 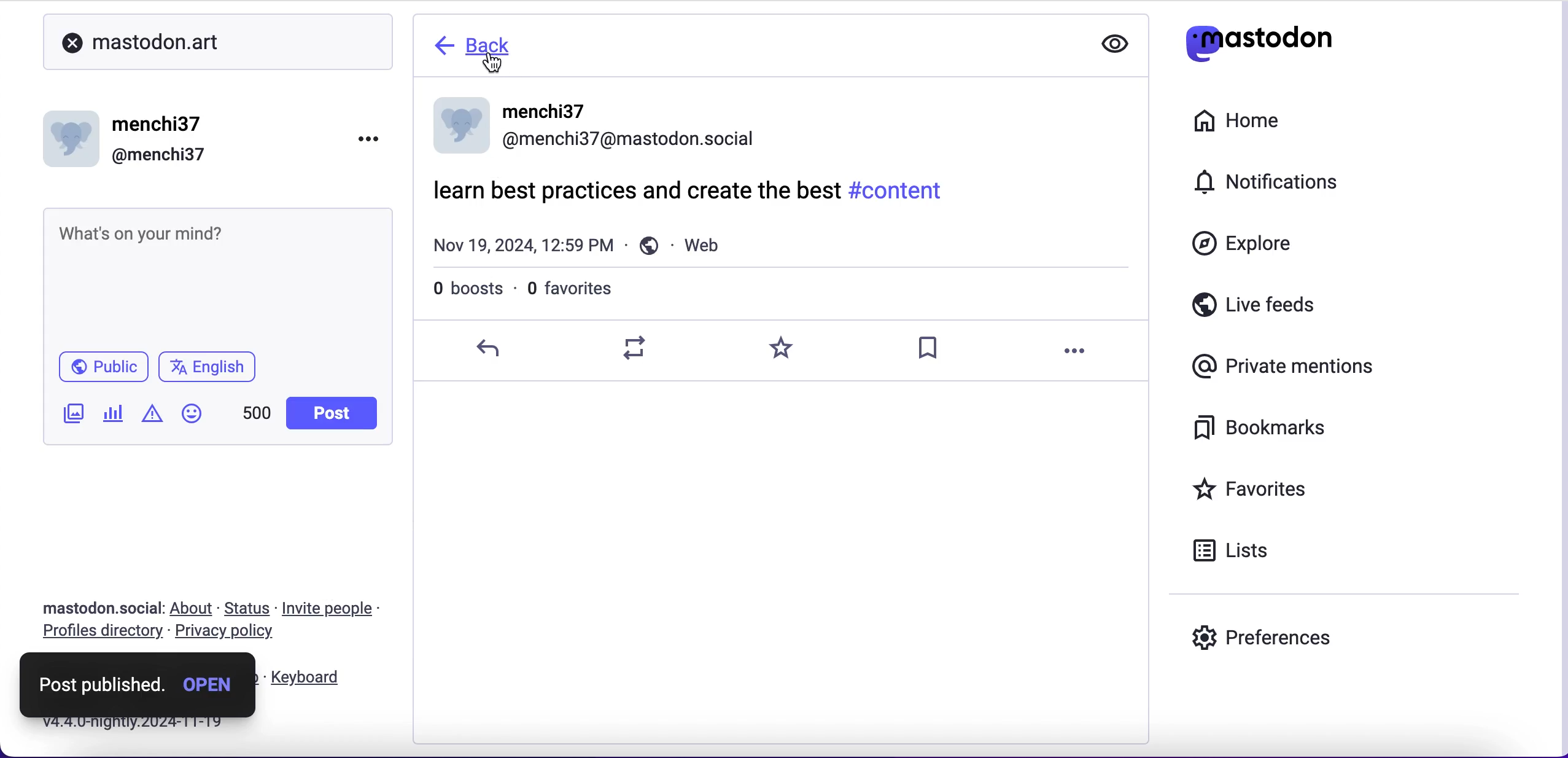 What do you see at coordinates (1264, 635) in the screenshot?
I see `preferences` at bounding box center [1264, 635].